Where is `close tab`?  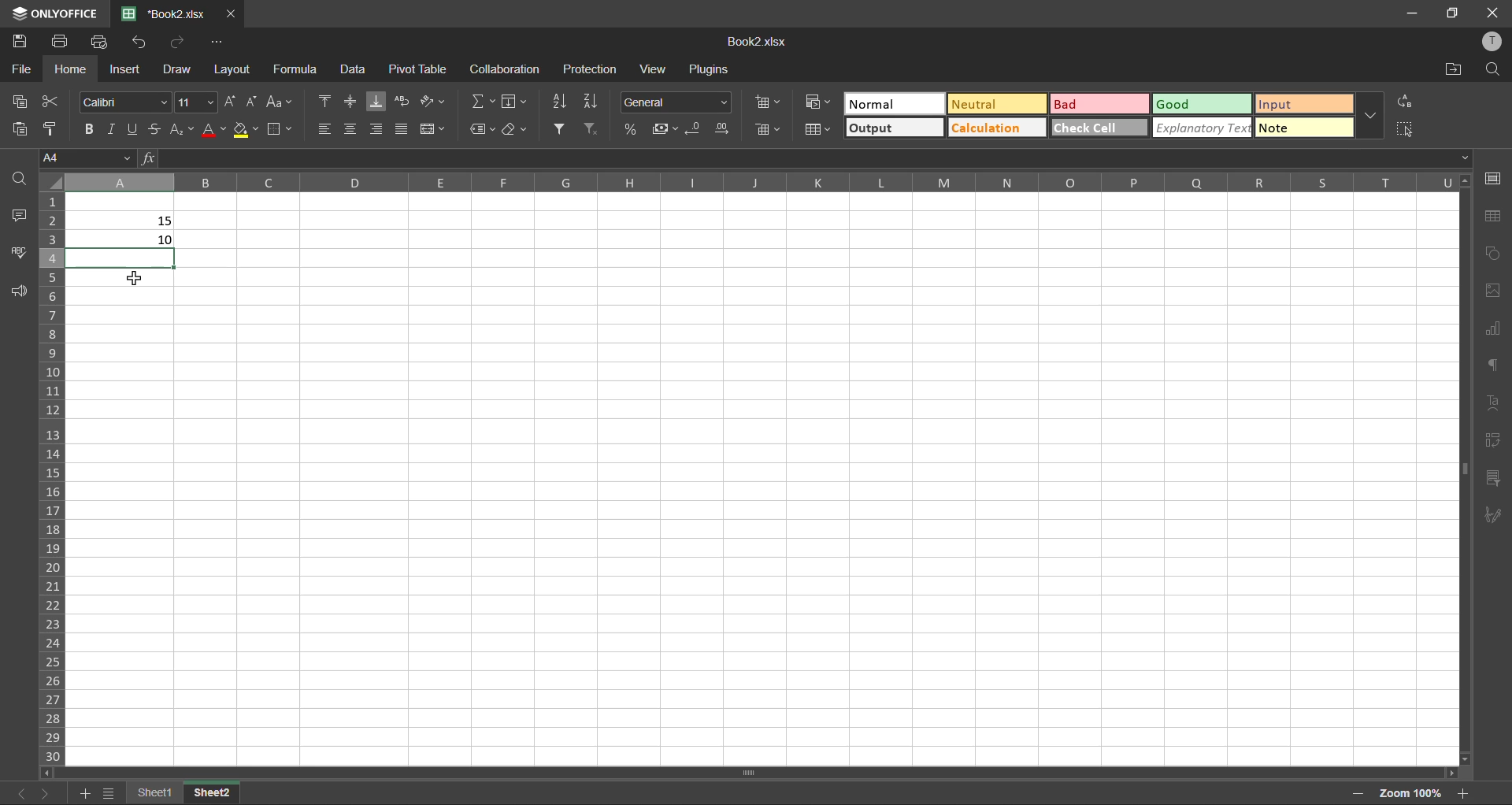 close tab is located at coordinates (230, 13).